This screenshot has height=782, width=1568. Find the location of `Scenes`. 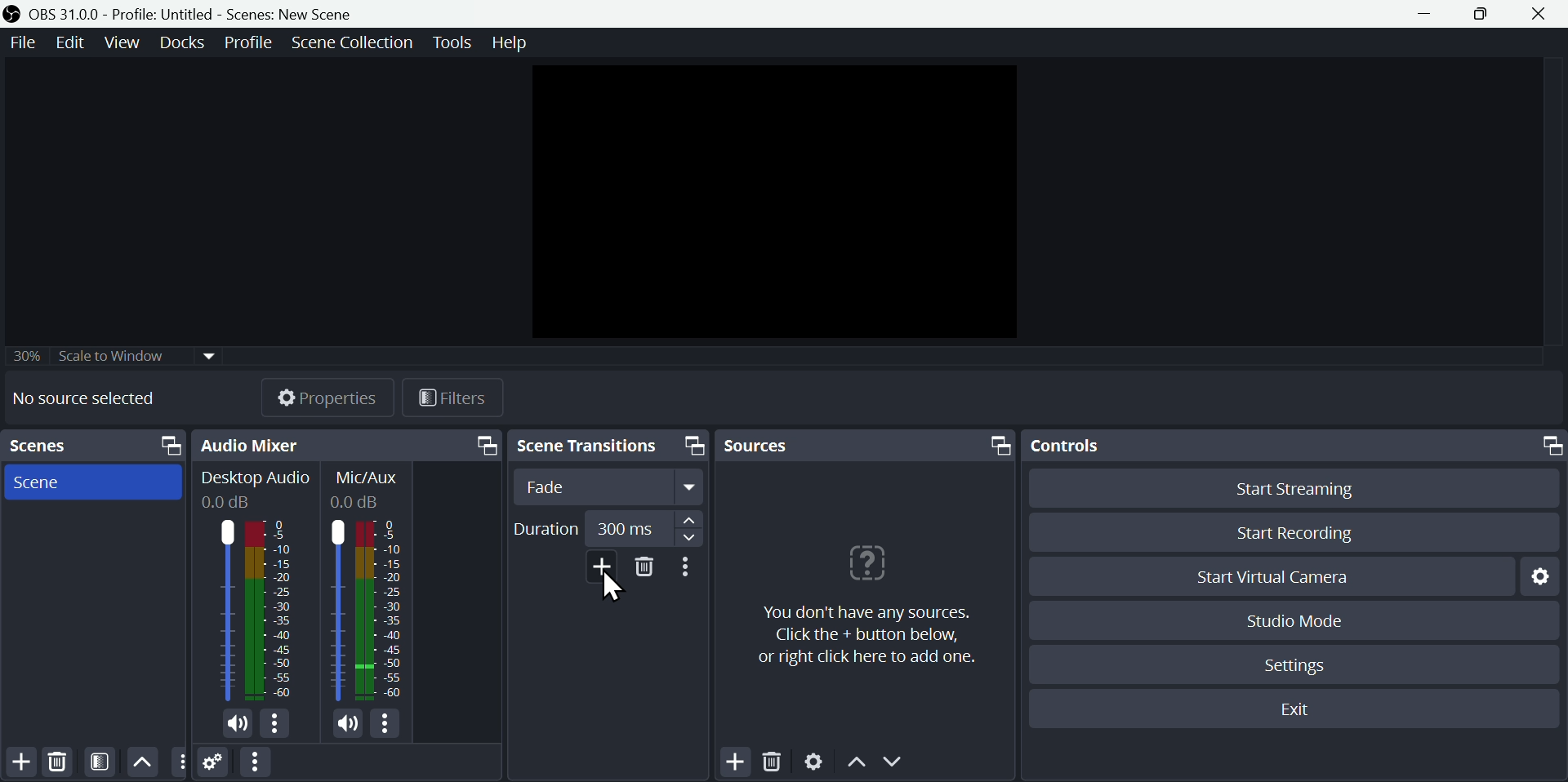

Scenes is located at coordinates (97, 446).